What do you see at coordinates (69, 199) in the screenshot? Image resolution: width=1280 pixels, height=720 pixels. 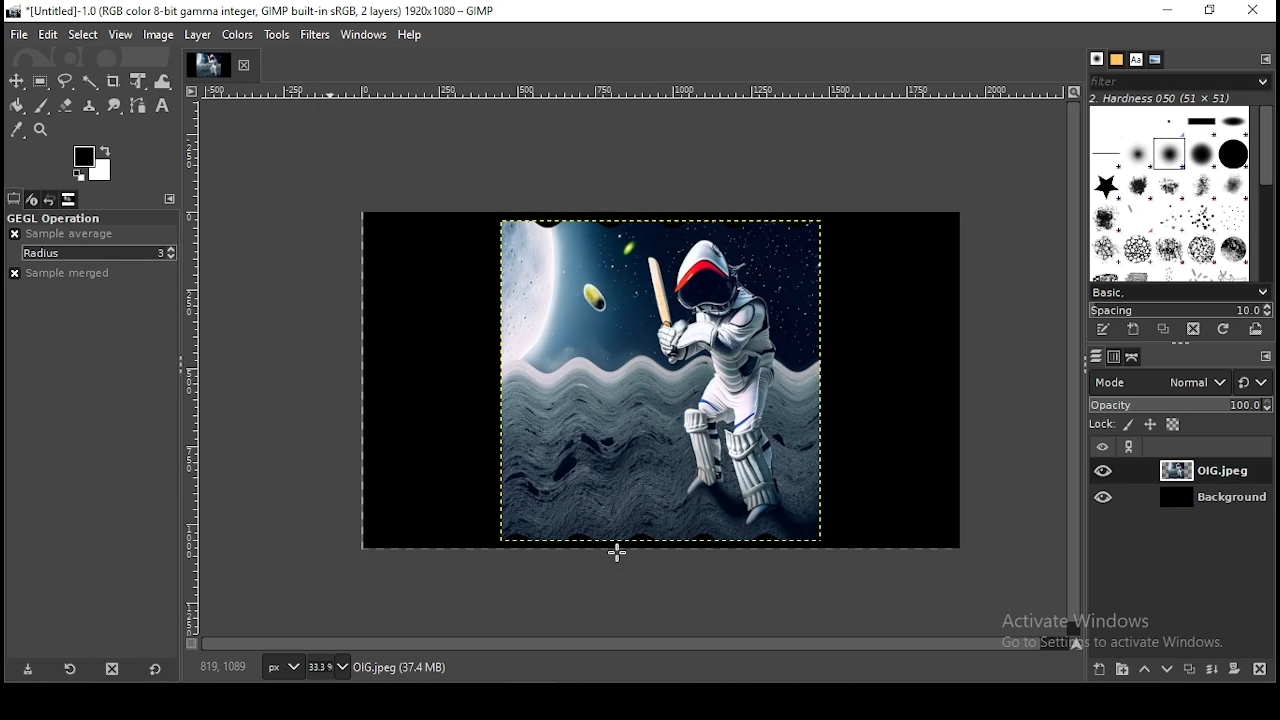 I see `images` at bounding box center [69, 199].